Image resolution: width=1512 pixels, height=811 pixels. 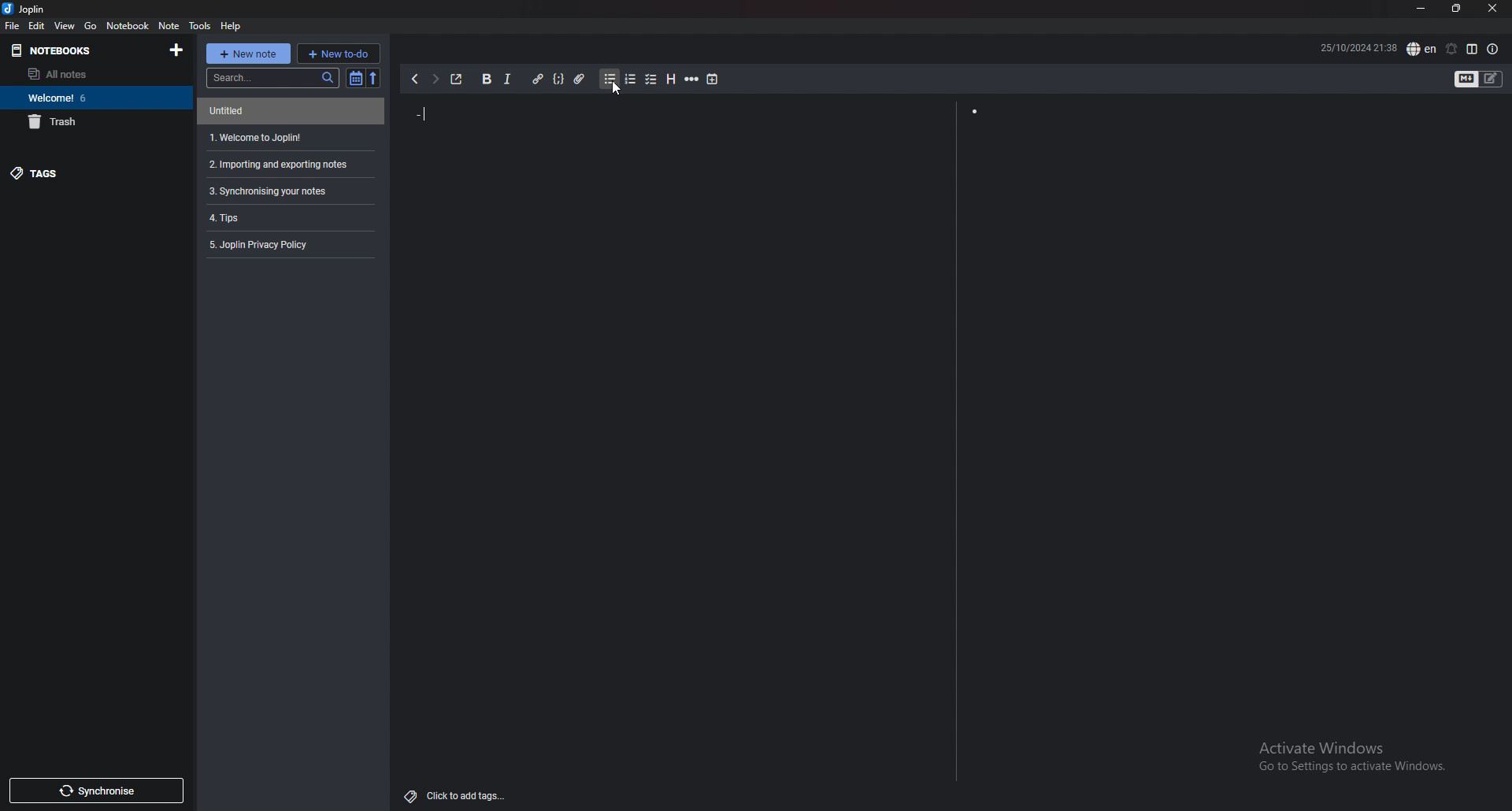 What do you see at coordinates (199, 25) in the screenshot?
I see `Tools` at bounding box center [199, 25].